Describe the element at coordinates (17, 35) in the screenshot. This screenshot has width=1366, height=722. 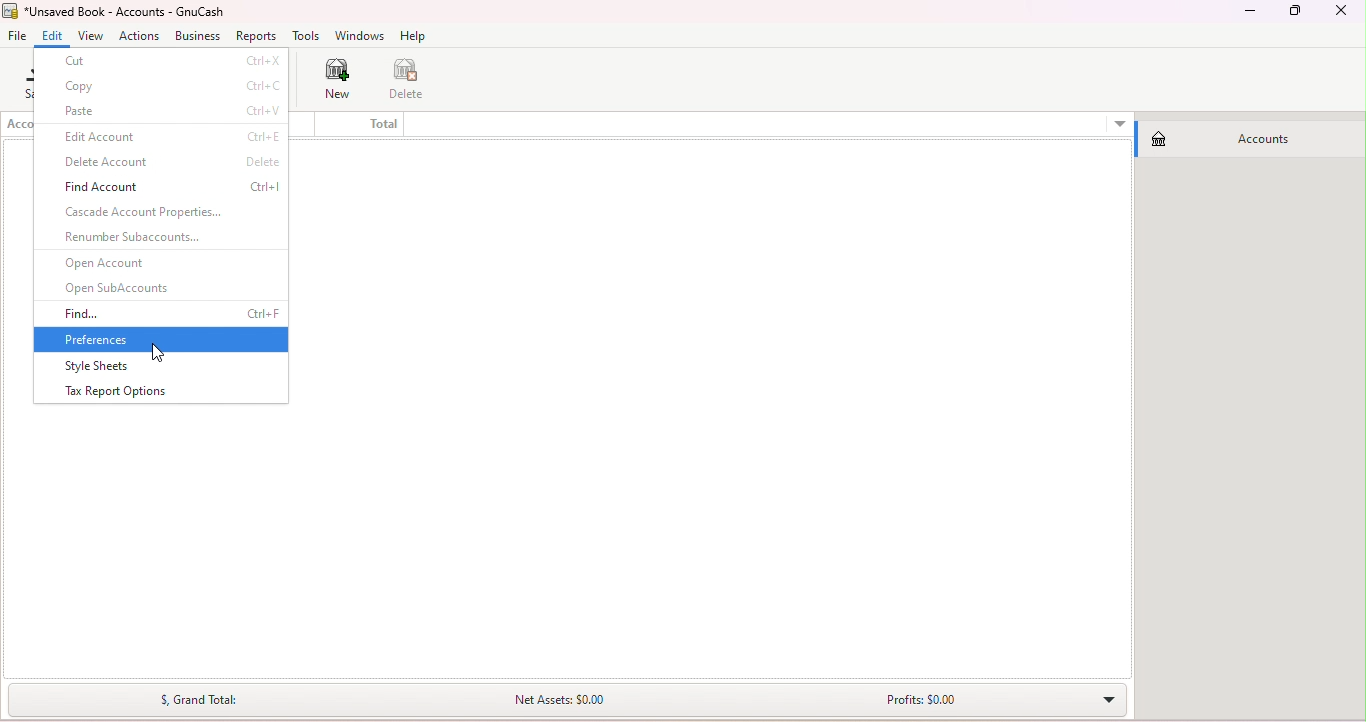
I see `File` at that location.